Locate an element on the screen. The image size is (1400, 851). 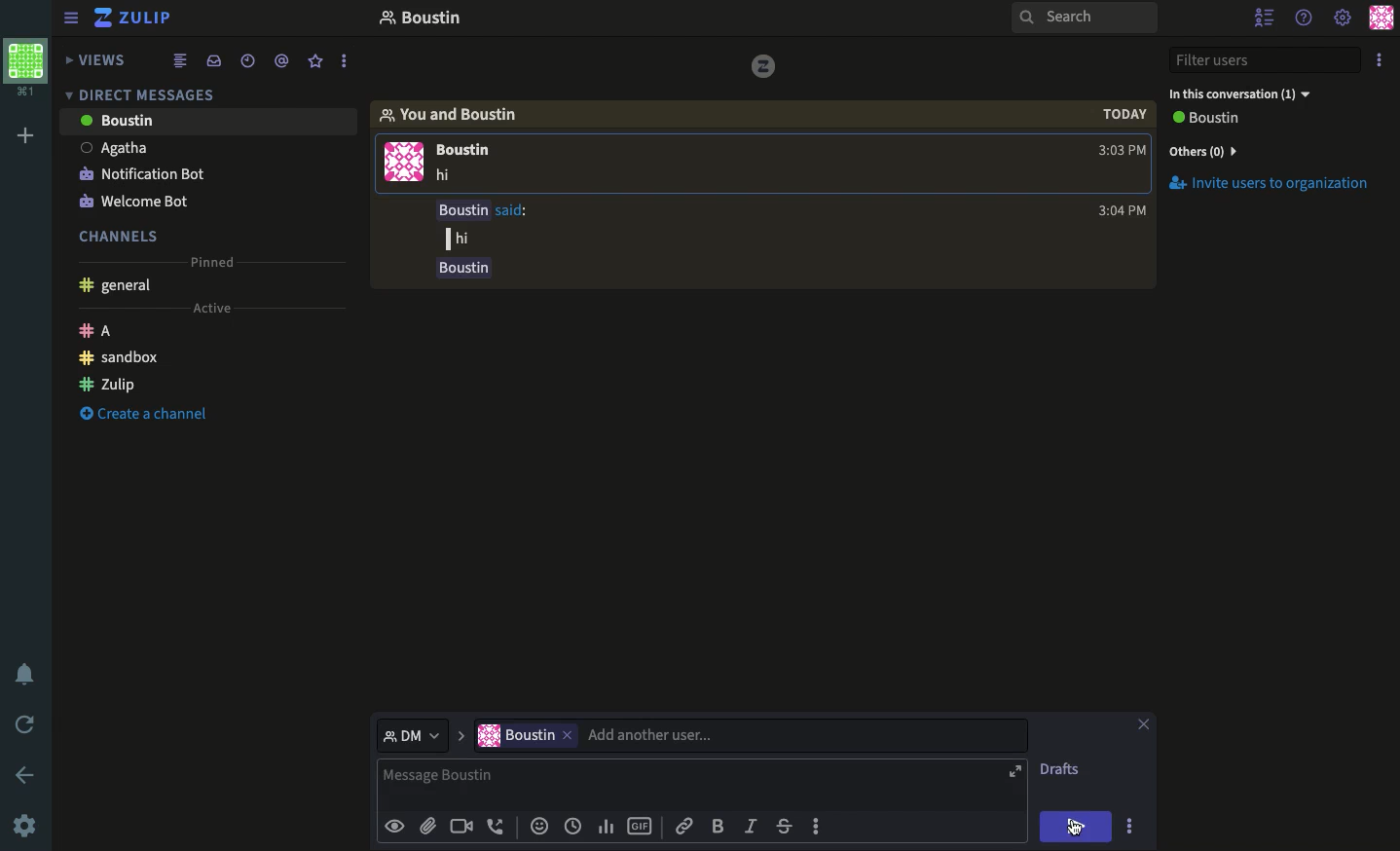
Time is located at coordinates (1122, 132).